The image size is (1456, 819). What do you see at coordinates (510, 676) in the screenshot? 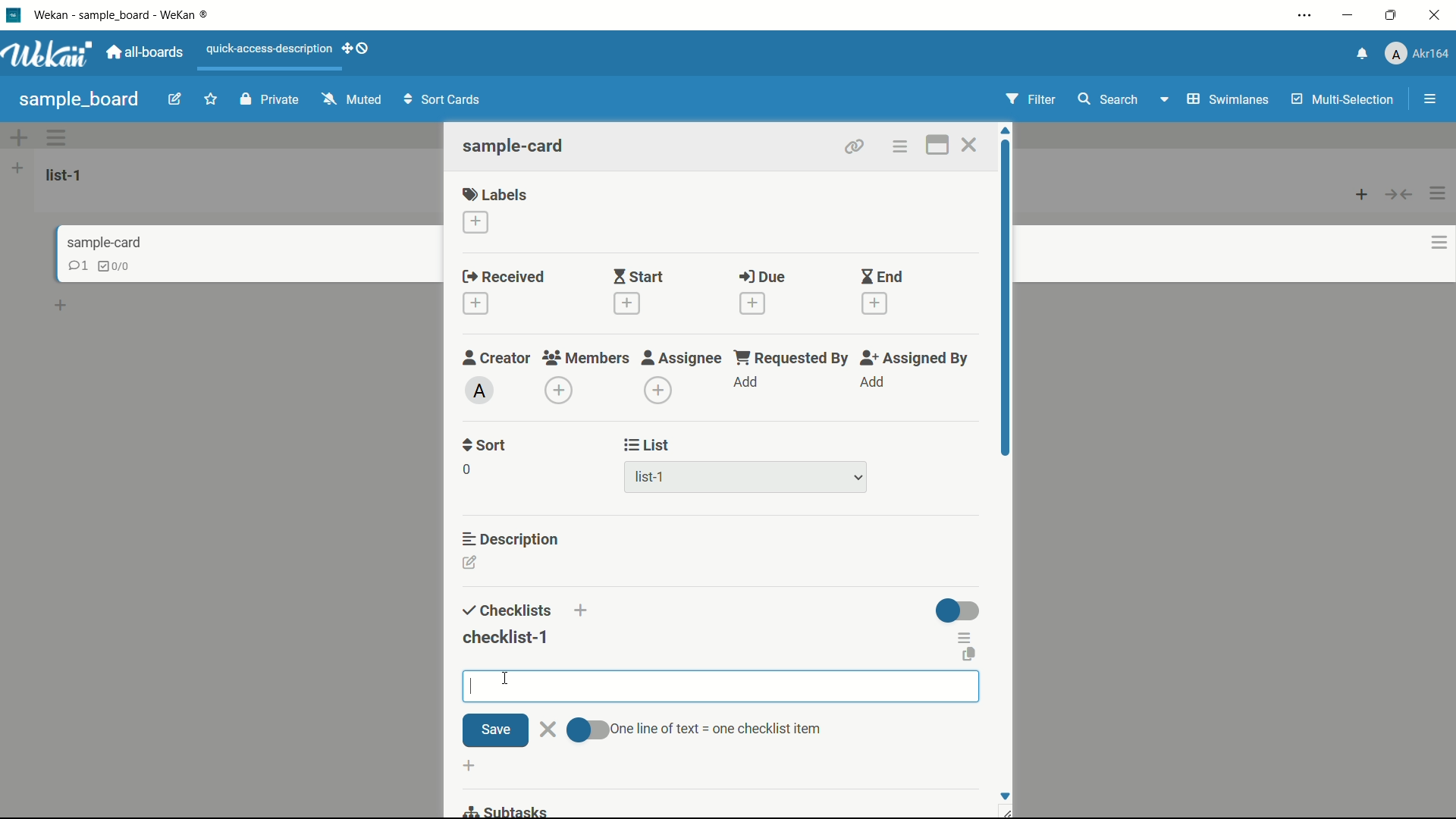
I see `cursor` at bounding box center [510, 676].